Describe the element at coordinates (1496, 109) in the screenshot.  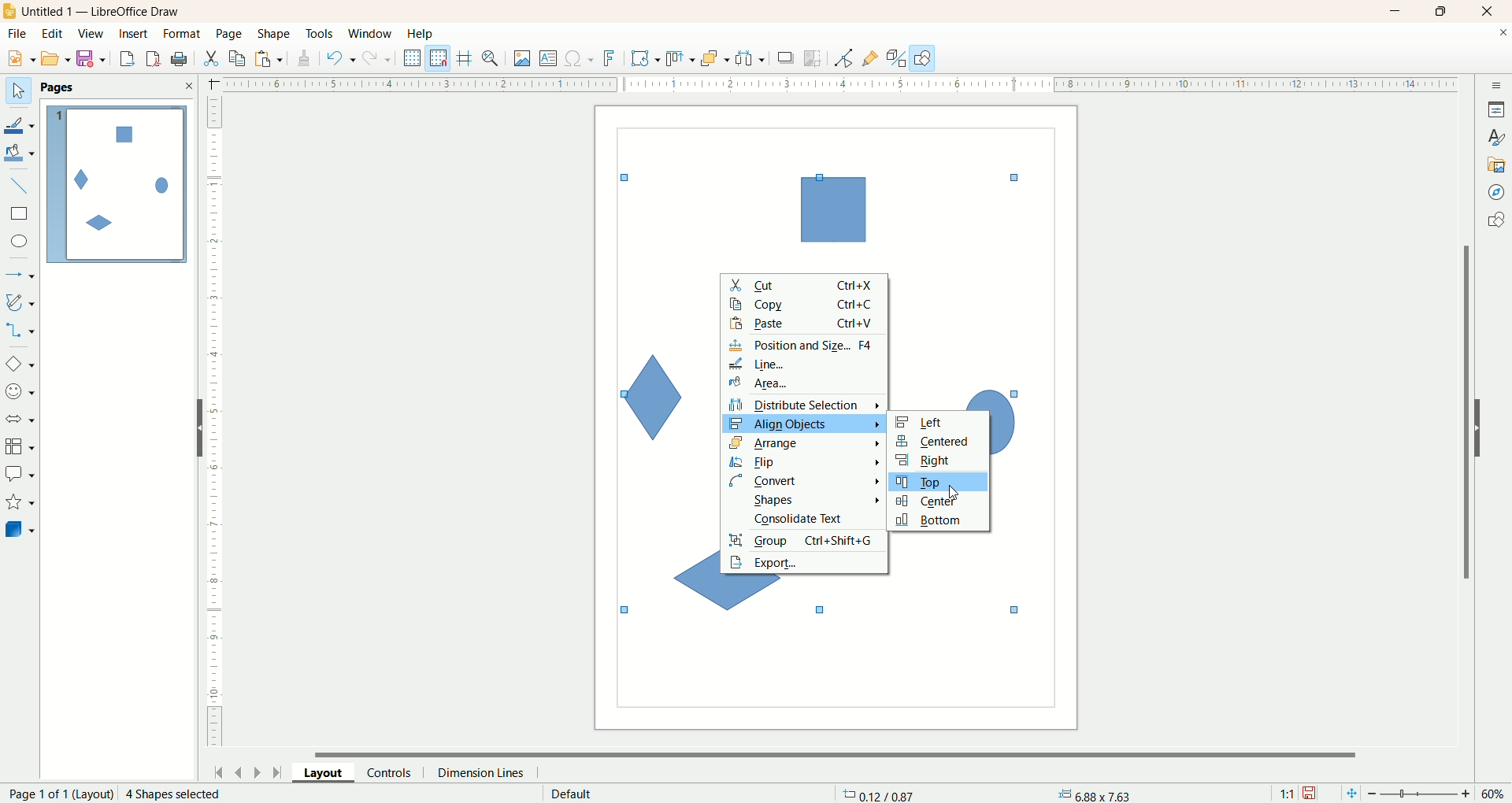
I see `properties` at that location.